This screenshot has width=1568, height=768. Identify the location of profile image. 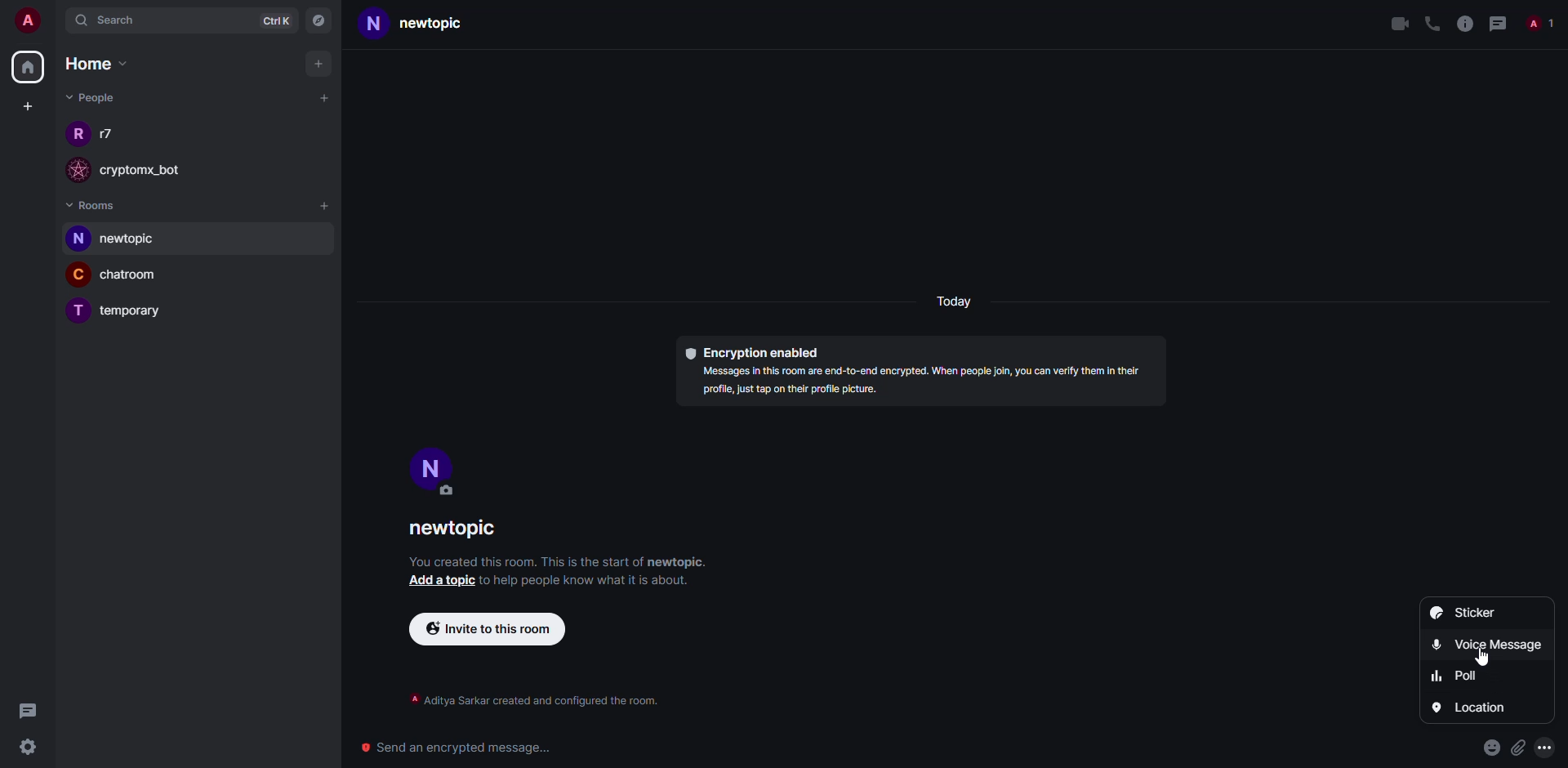
(79, 170).